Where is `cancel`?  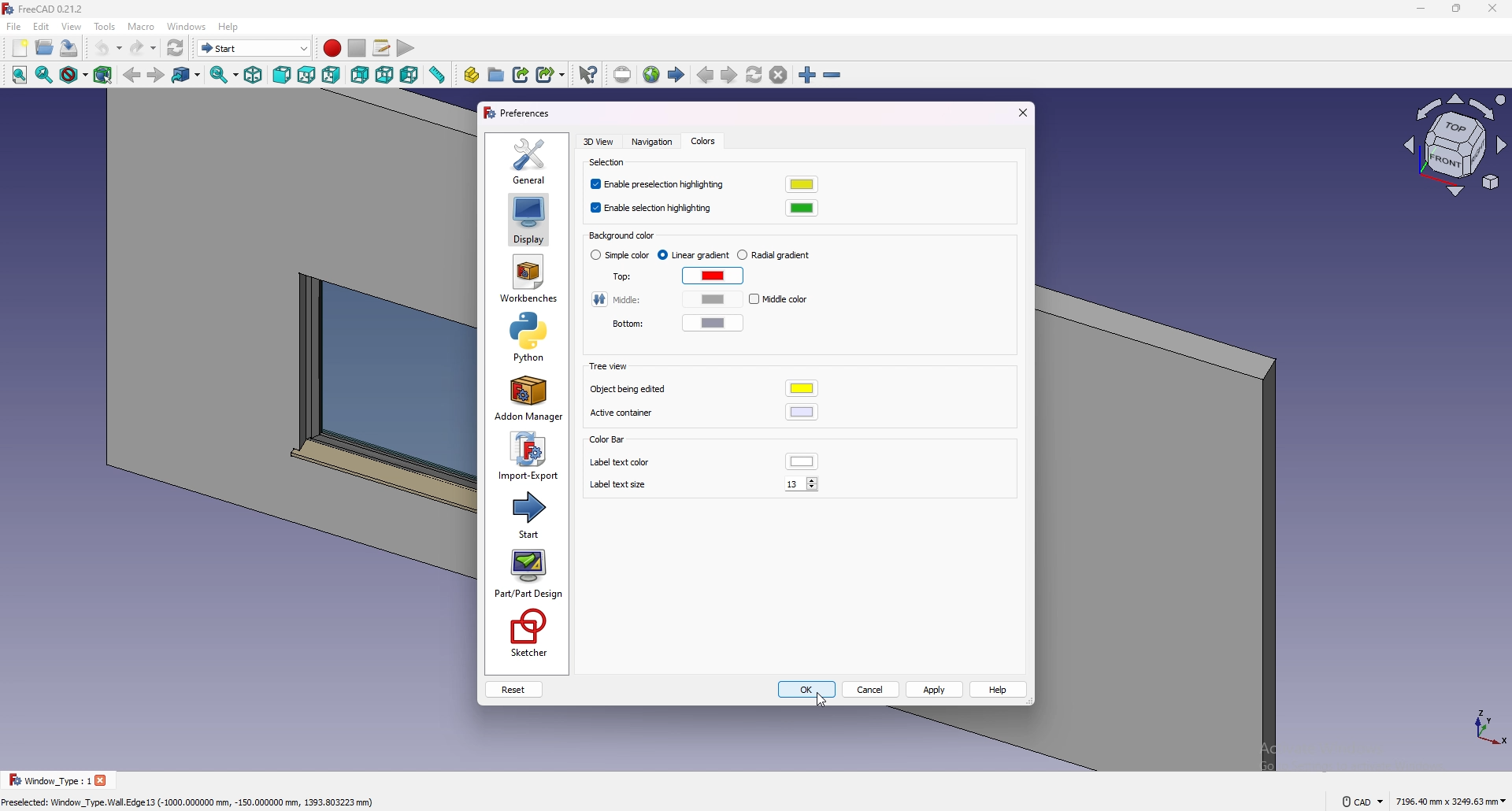
cancel is located at coordinates (872, 691).